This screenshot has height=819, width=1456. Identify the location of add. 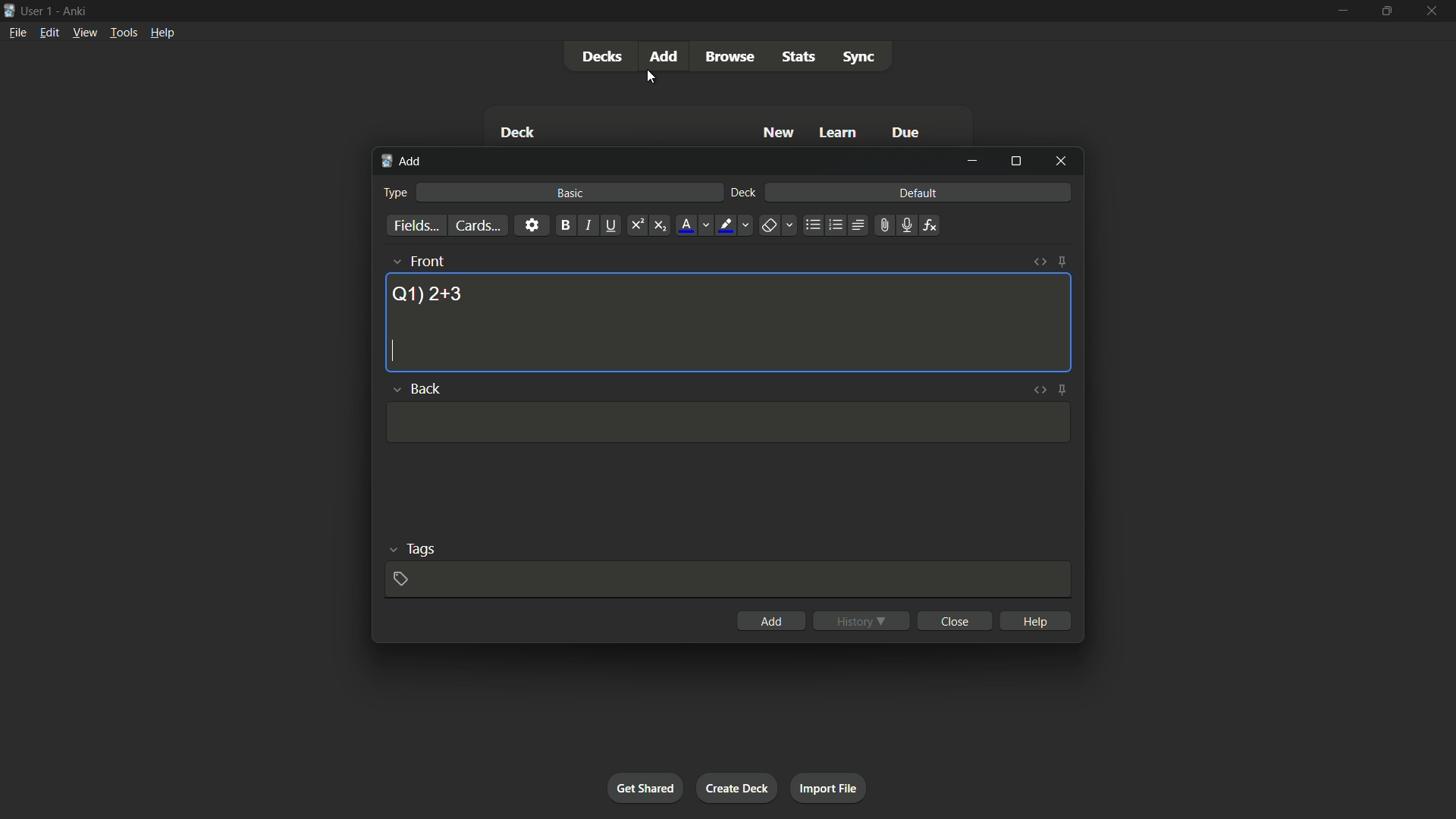
(667, 55).